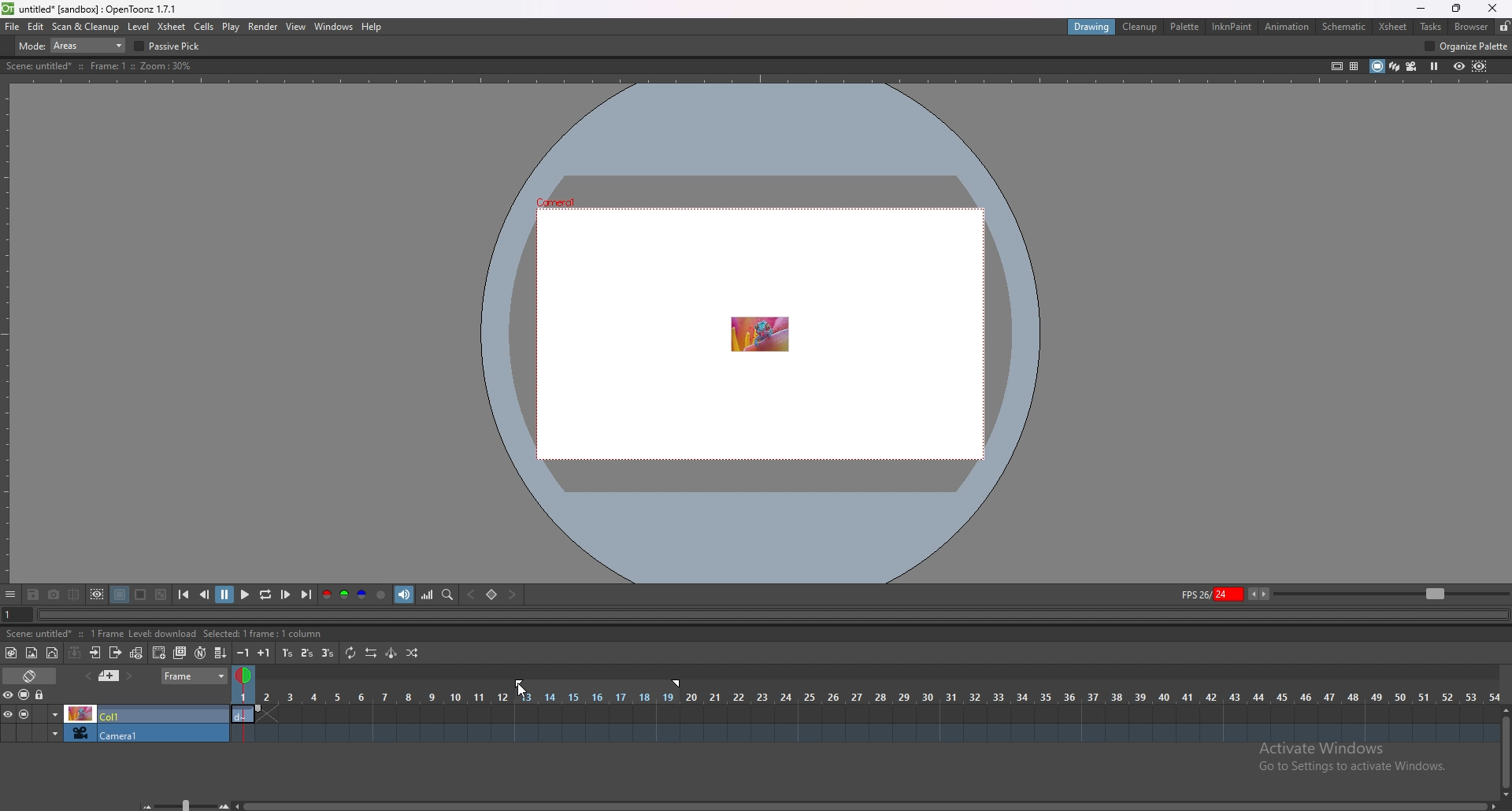 This screenshot has height=811, width=1512. I want to click on alpha channel, so click(382, 594).